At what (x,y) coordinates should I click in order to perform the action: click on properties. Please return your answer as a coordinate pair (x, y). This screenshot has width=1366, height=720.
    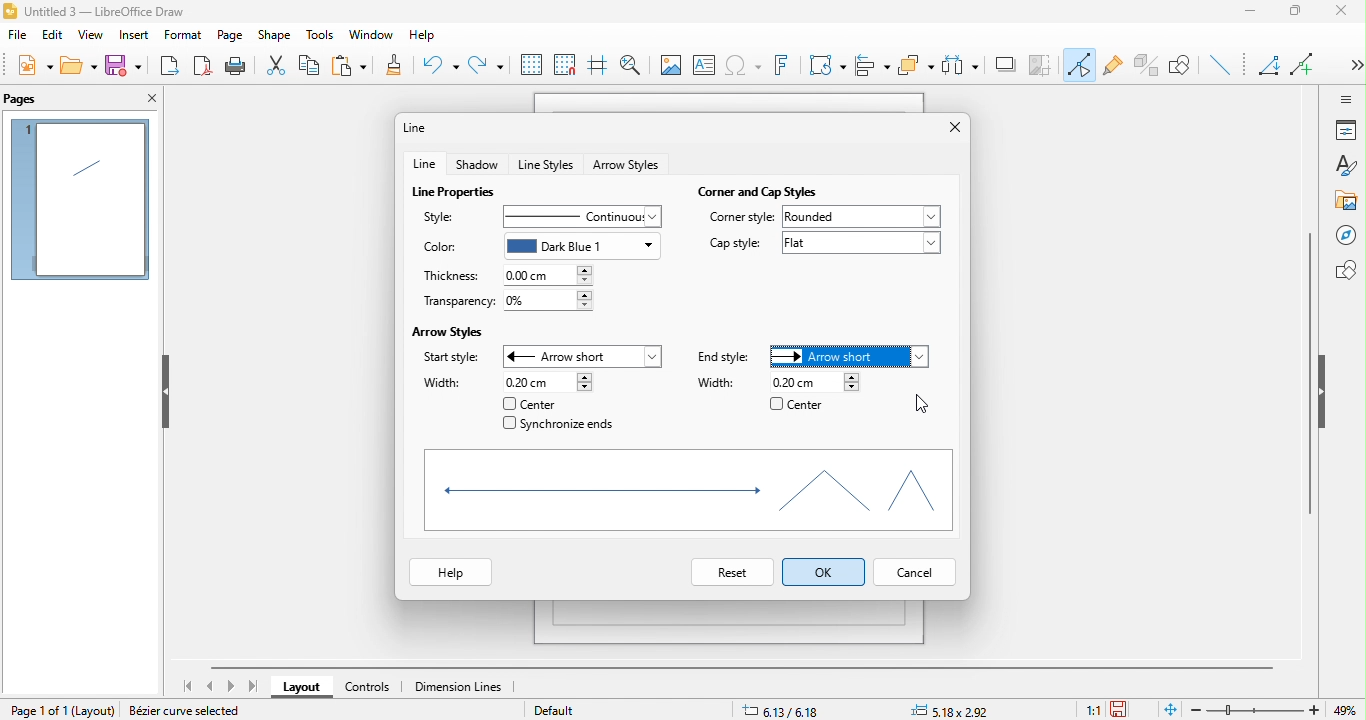
    Looking at the image, I should click on (1346, 130).